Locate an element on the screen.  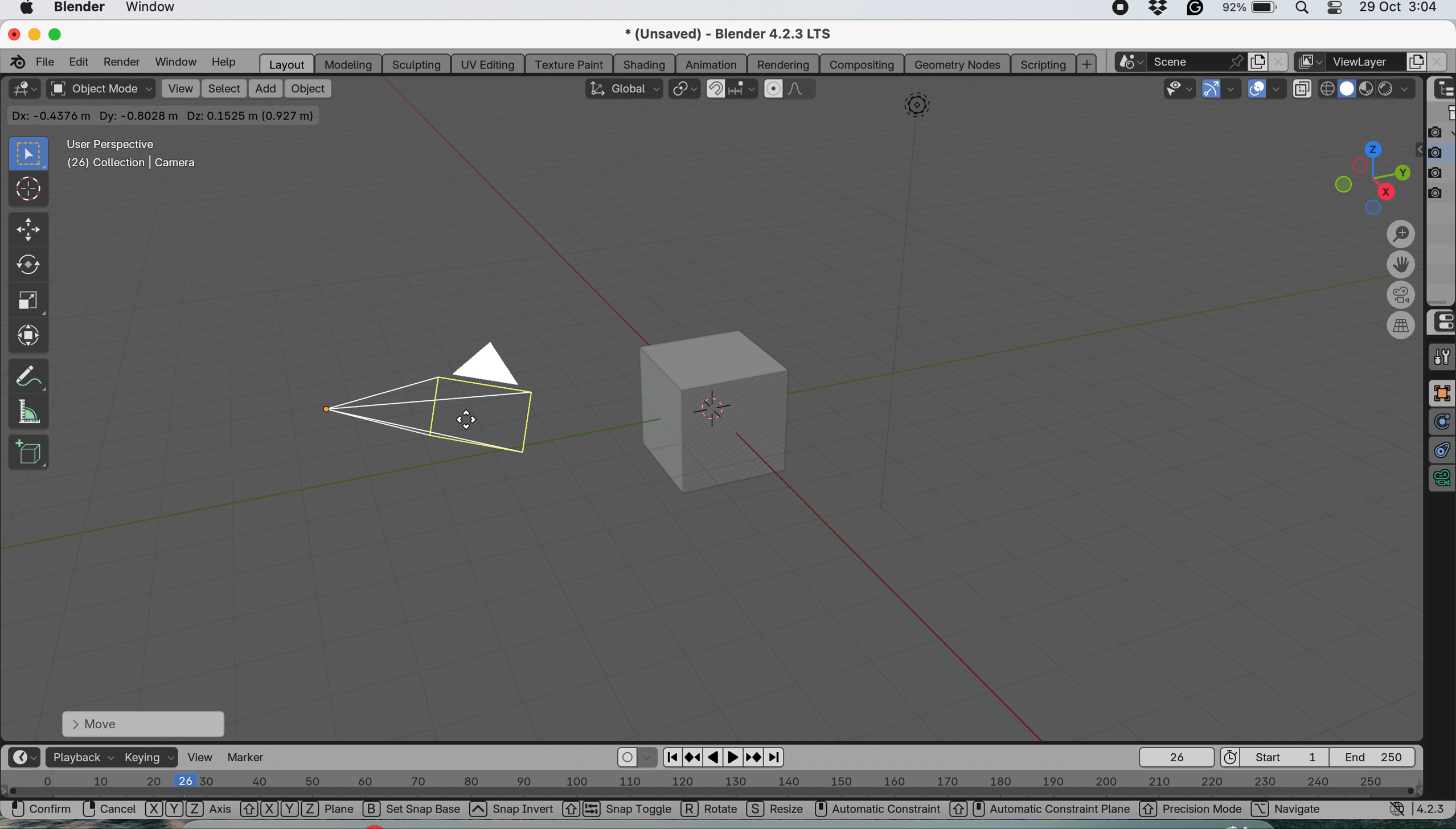
tools is located at coordinates (1441, 357).